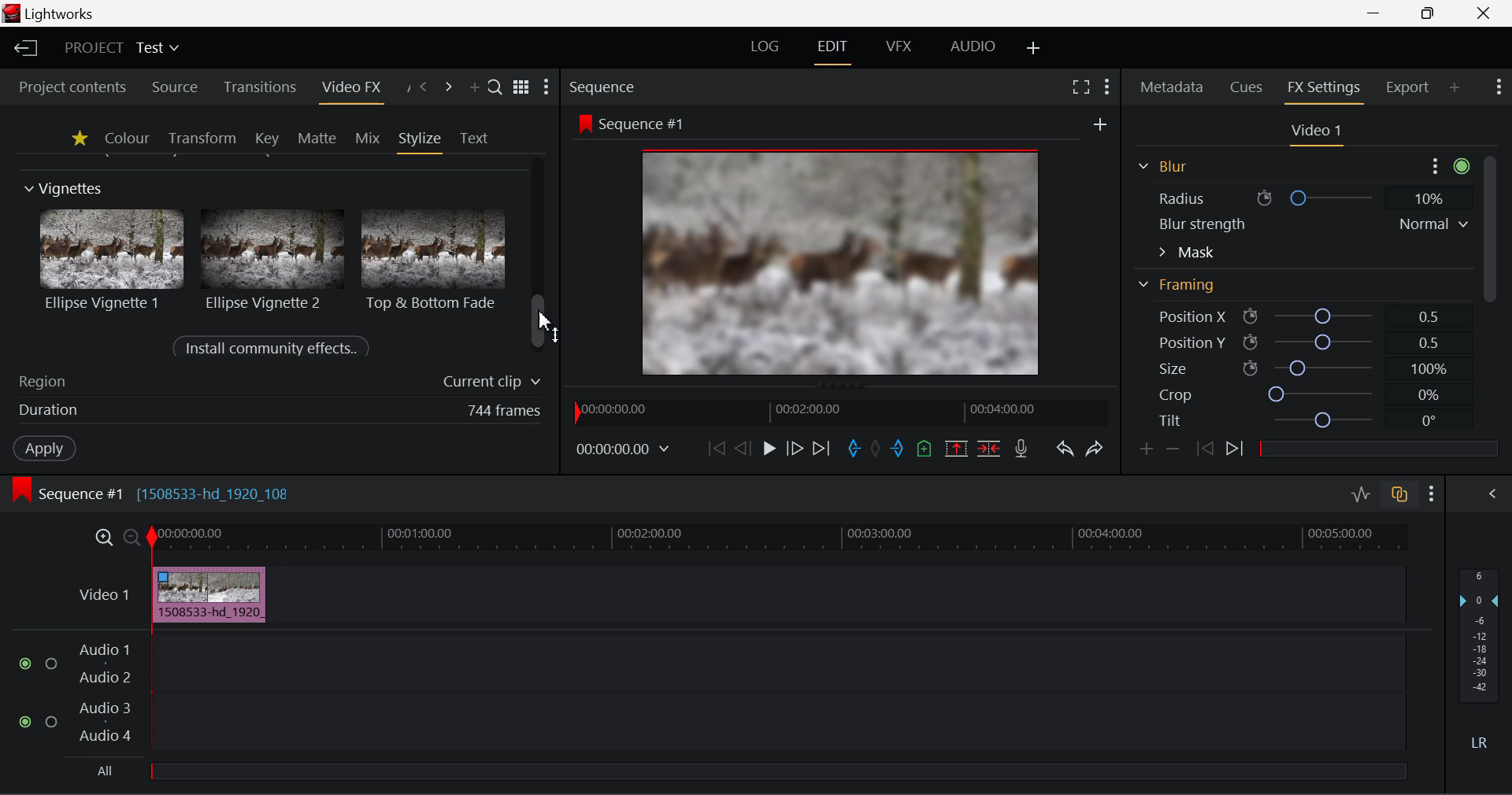 The height and width of the screenshot is (795, 1512). Describe the element at coordinates (421, 138) in the screenshot. I see `Stylize Panel Open` at that location.